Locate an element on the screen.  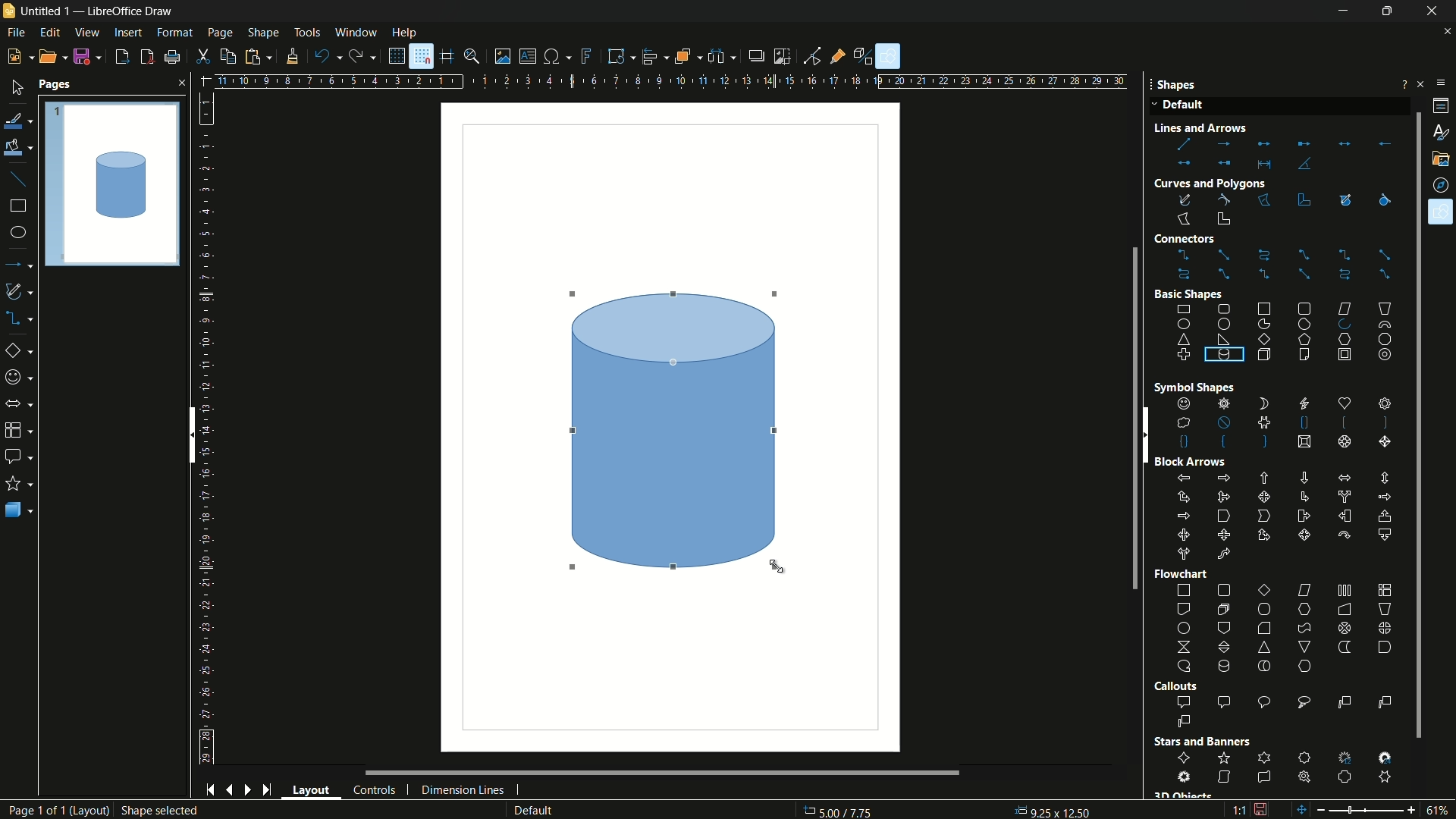
scroll bar is located at coordinates (1411, 423).